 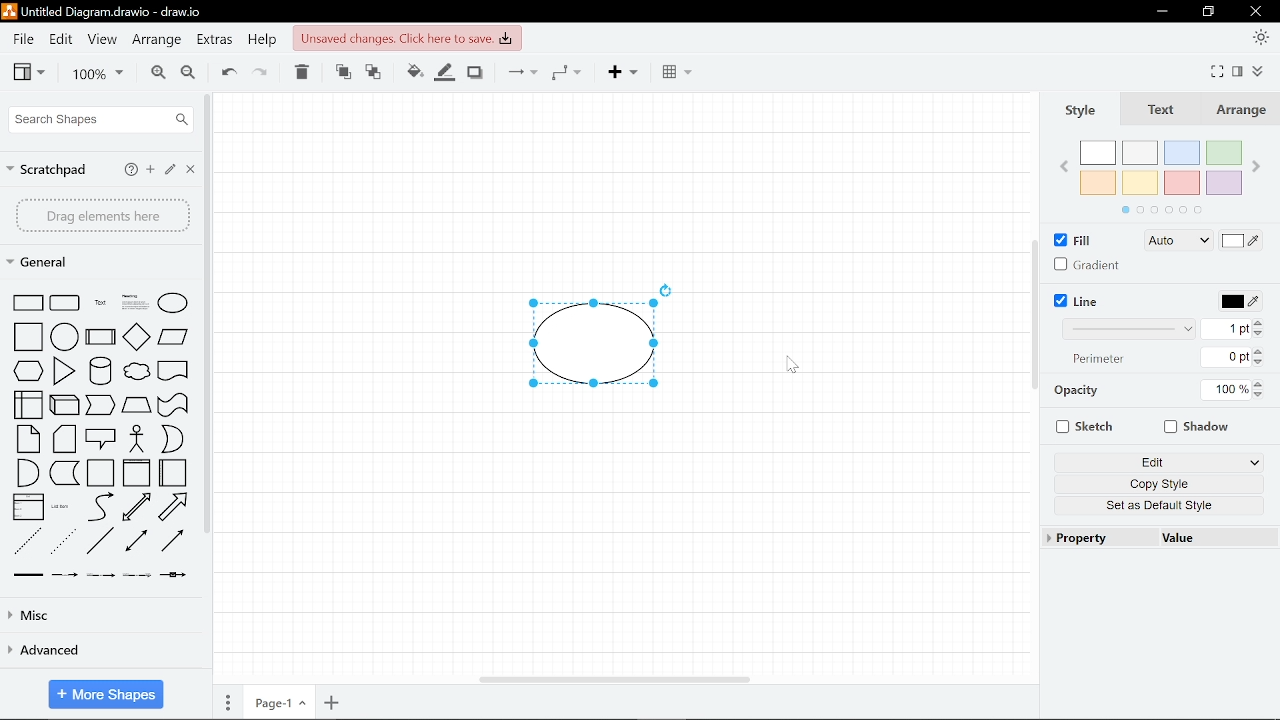 I want to click on vertical scrollbar, so click(x=1035, y=315).